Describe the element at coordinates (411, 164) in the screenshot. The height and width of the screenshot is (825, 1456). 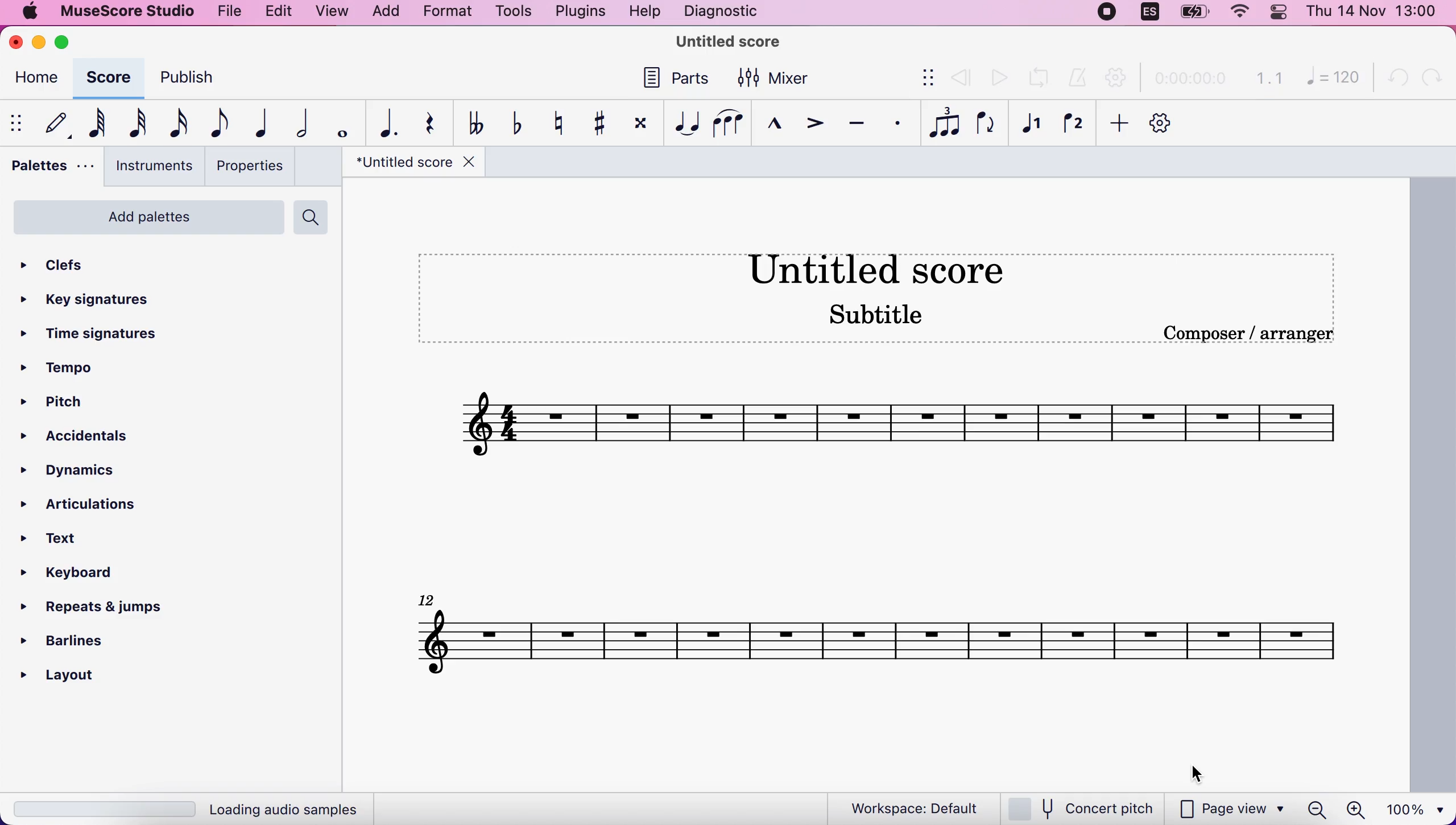
I see `*untitled score` at that location.